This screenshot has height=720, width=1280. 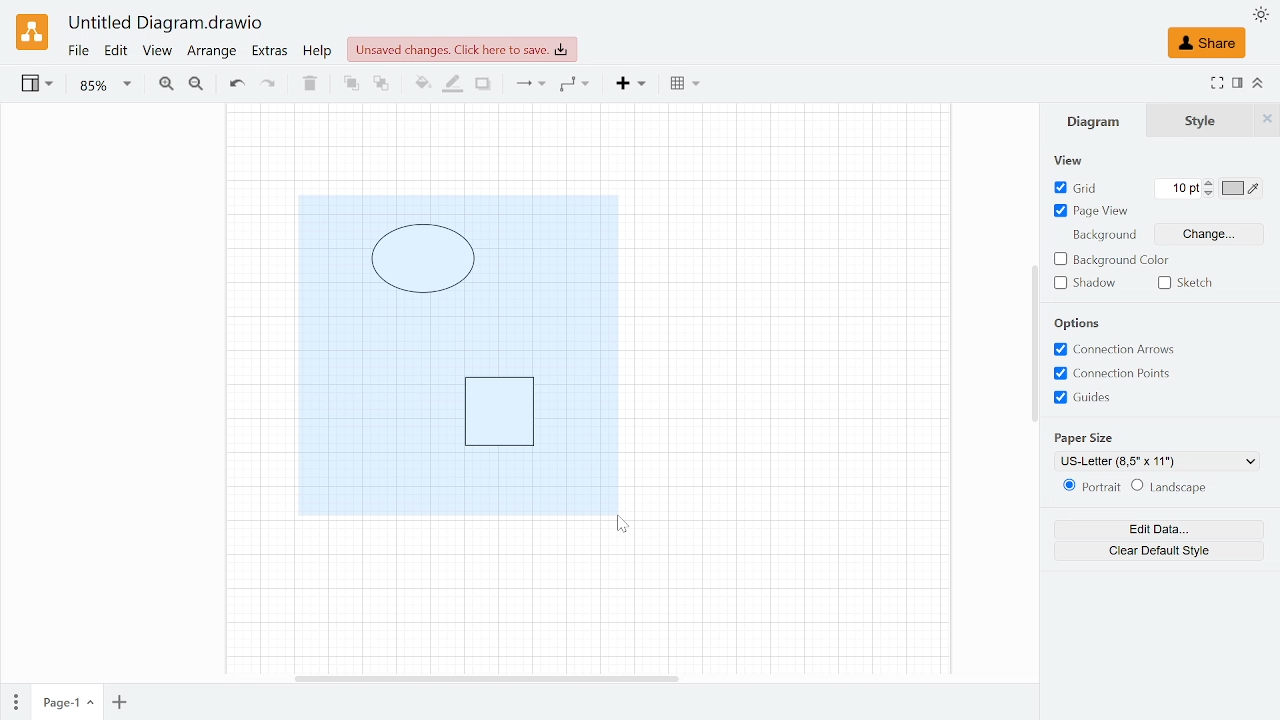 What do you see at coordinates (1193, 282) in the screenshot?
I see `Sketch` at bounding box center [1193, 282].